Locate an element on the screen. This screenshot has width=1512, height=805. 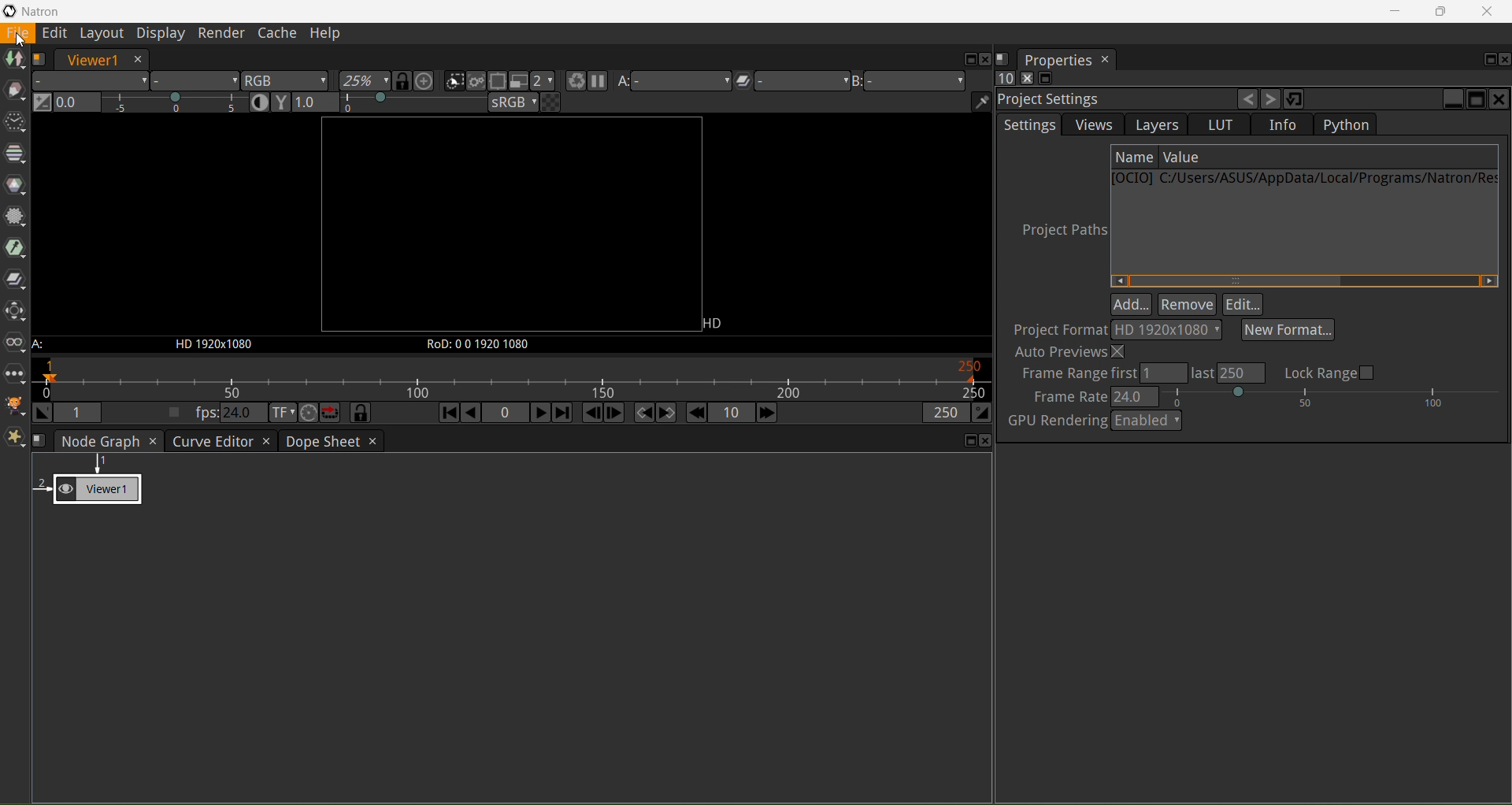
Project Paths is located at coordinates (1050, 230).